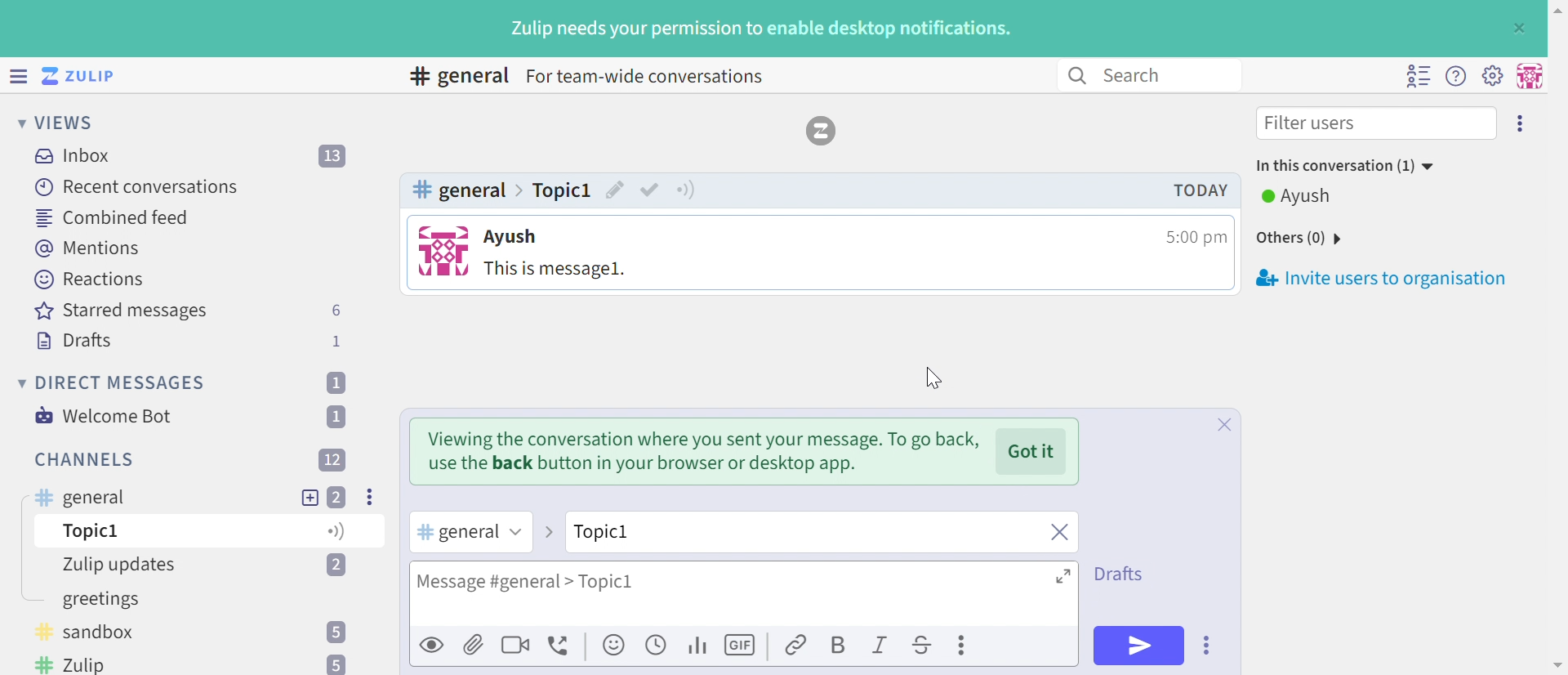 The height and width of the screenshot is (675, 1568). Describe the element at coordinates (89, 279) in the screenshot. I see `Reactions` at that location.